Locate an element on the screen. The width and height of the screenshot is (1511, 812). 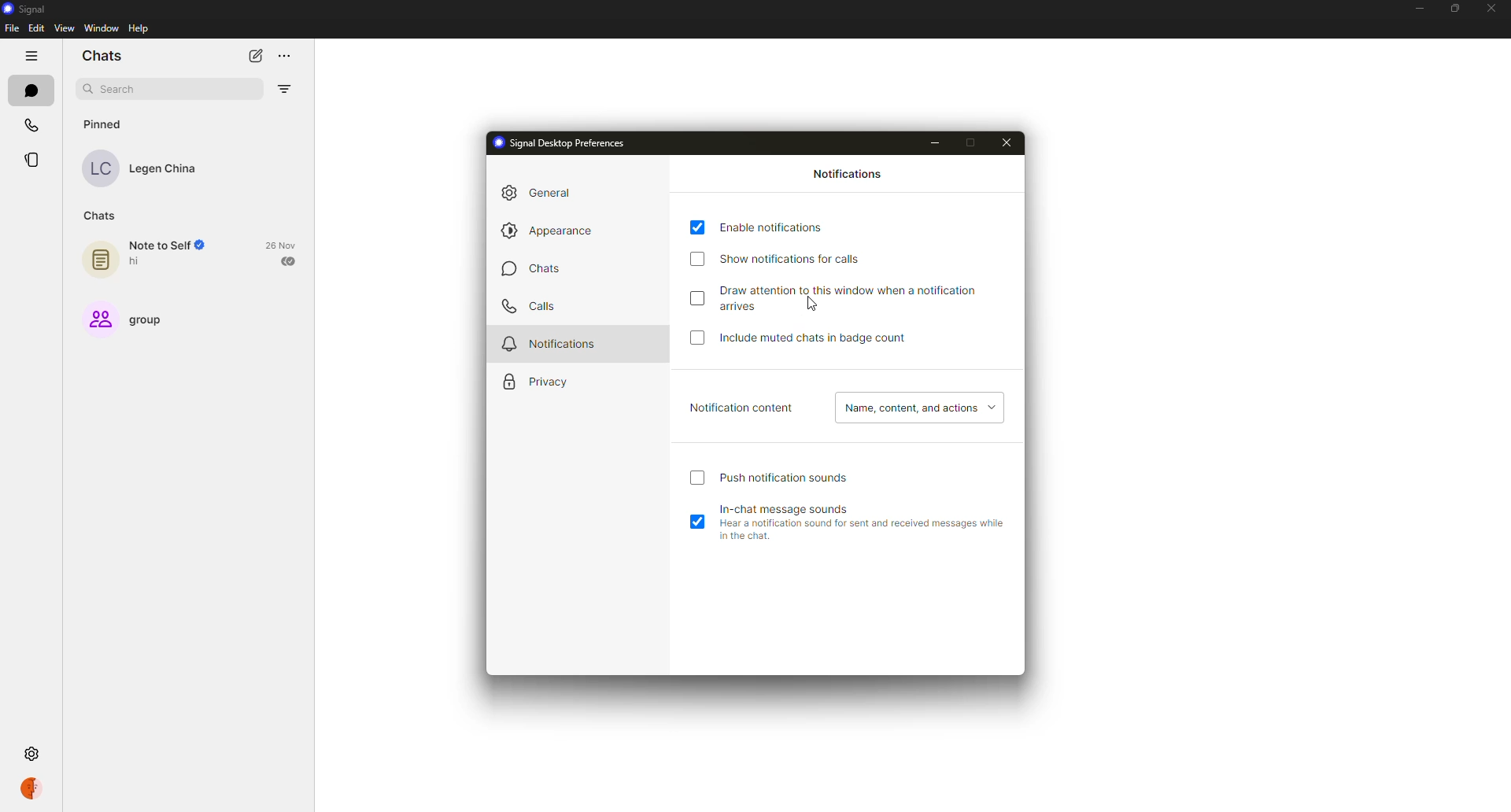
filter is located at coordinates (281, 88).